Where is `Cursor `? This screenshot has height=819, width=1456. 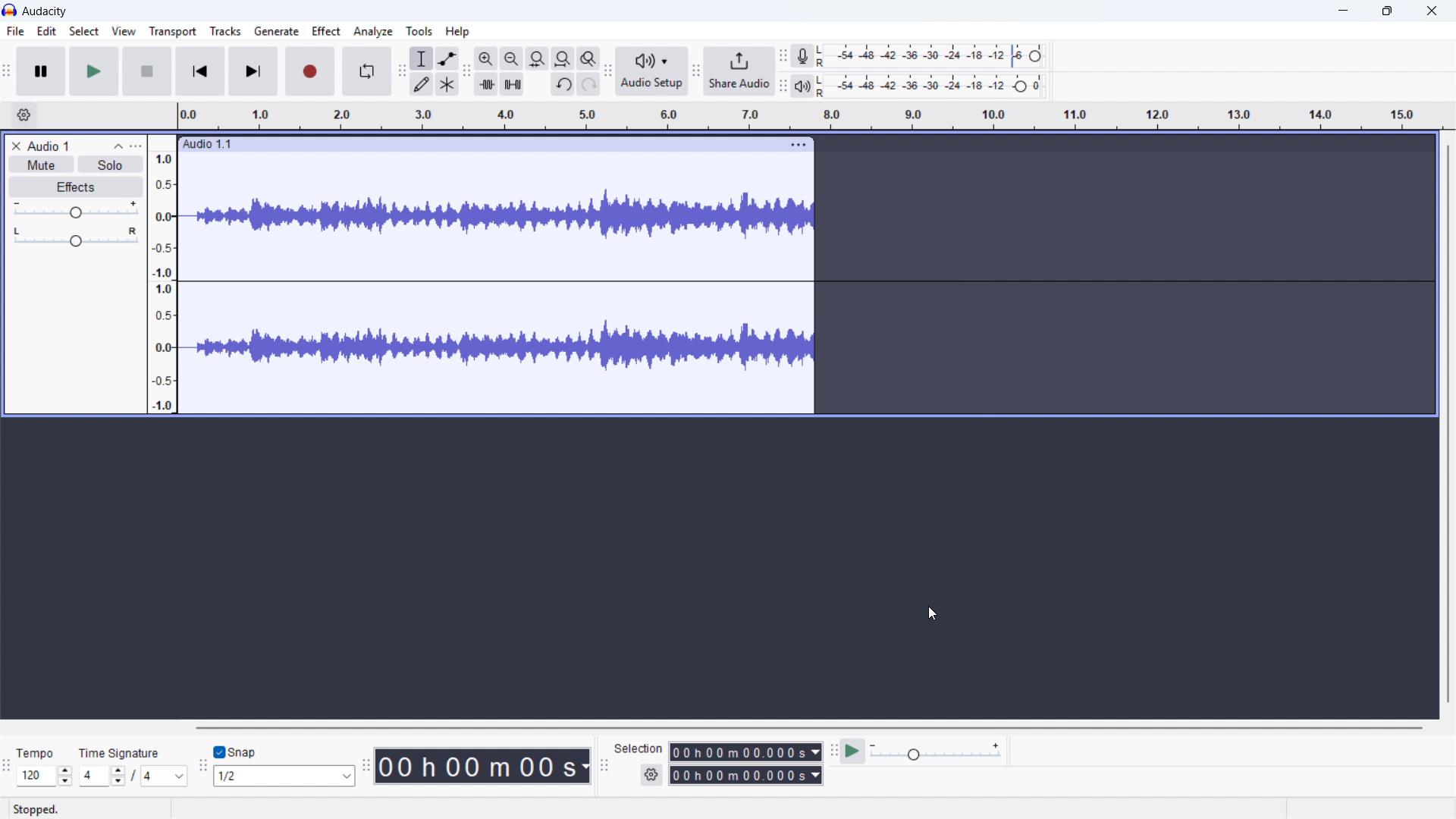
Cursor  is located at coordinates (933, 614).